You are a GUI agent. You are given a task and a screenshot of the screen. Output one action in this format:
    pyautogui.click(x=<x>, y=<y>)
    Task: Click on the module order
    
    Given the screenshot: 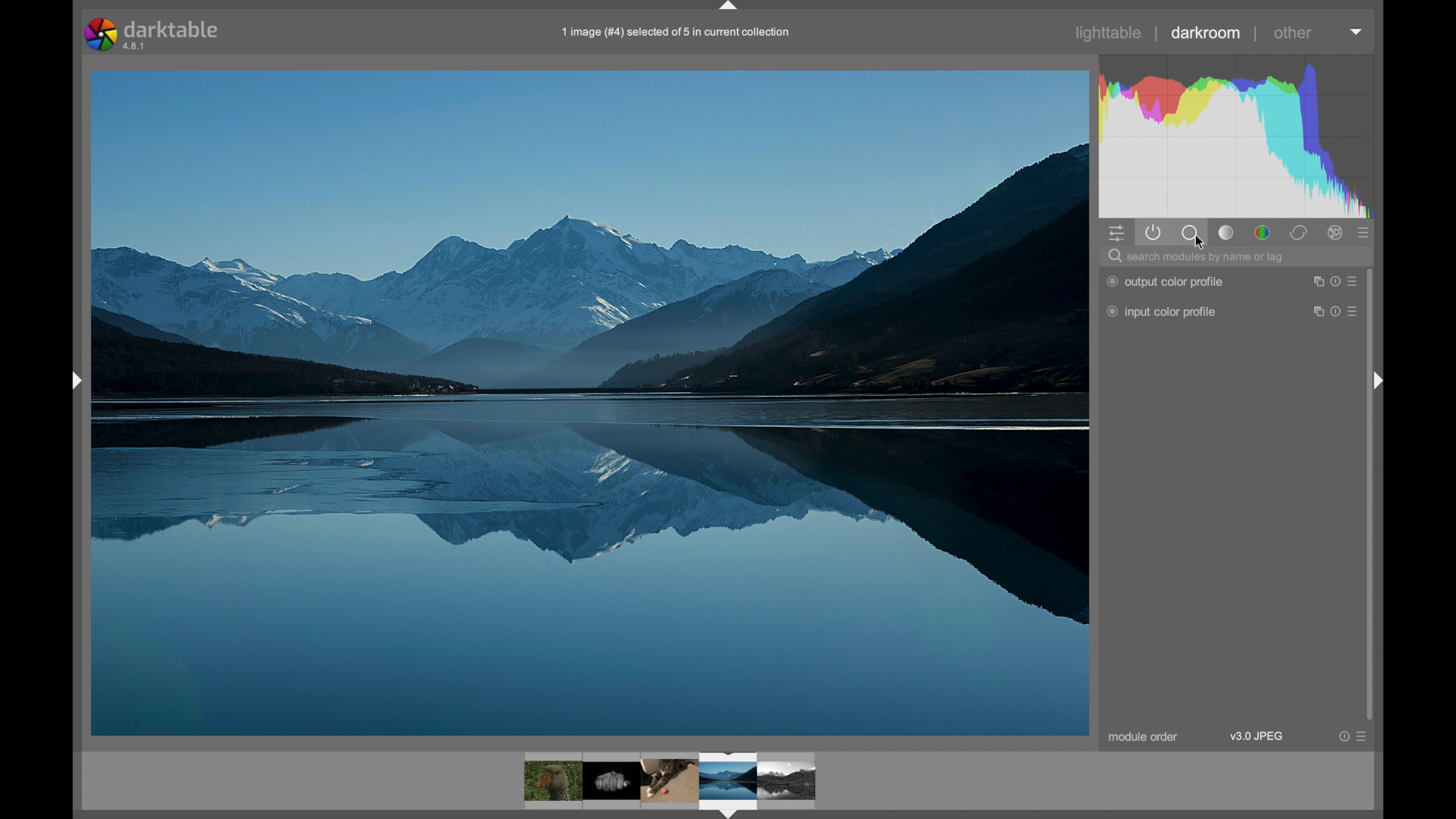 What is the action you would take?
    pyautogui.click(x=1144, y=737)
    